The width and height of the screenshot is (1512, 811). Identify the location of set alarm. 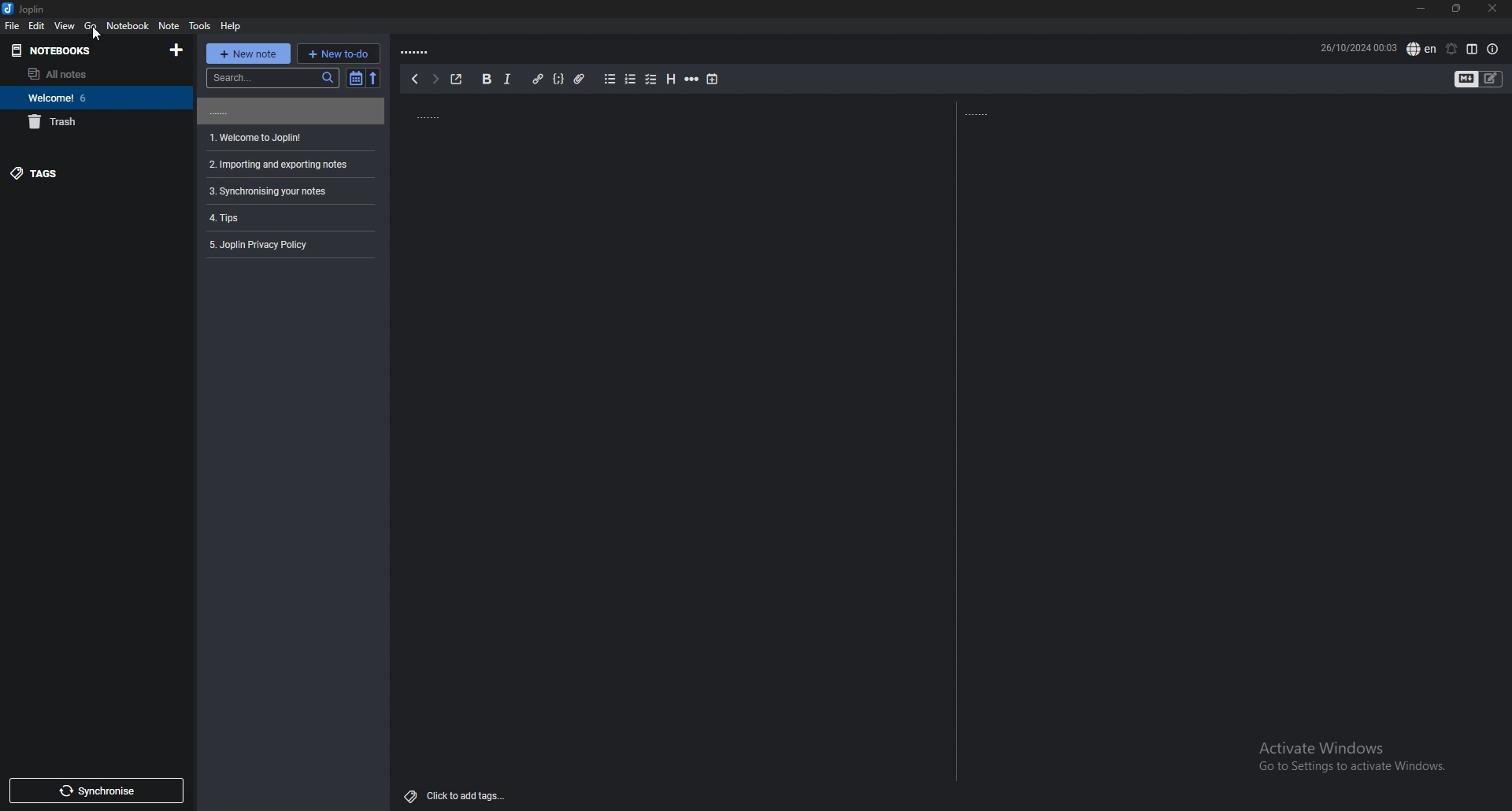
(1451, 49).